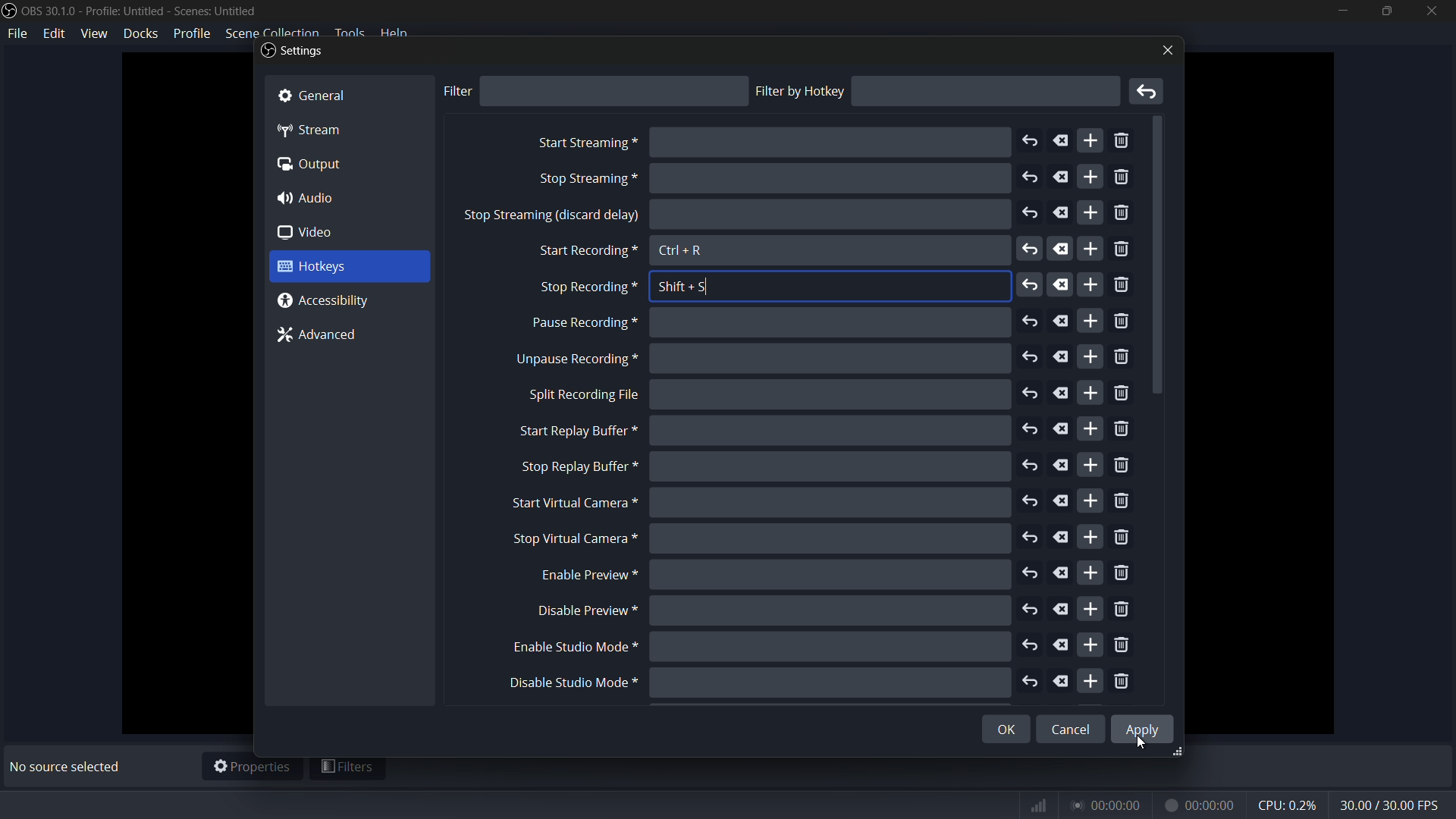 This screenshot has width=1456, height=819. I want to click on undo, so click(1028, 142).